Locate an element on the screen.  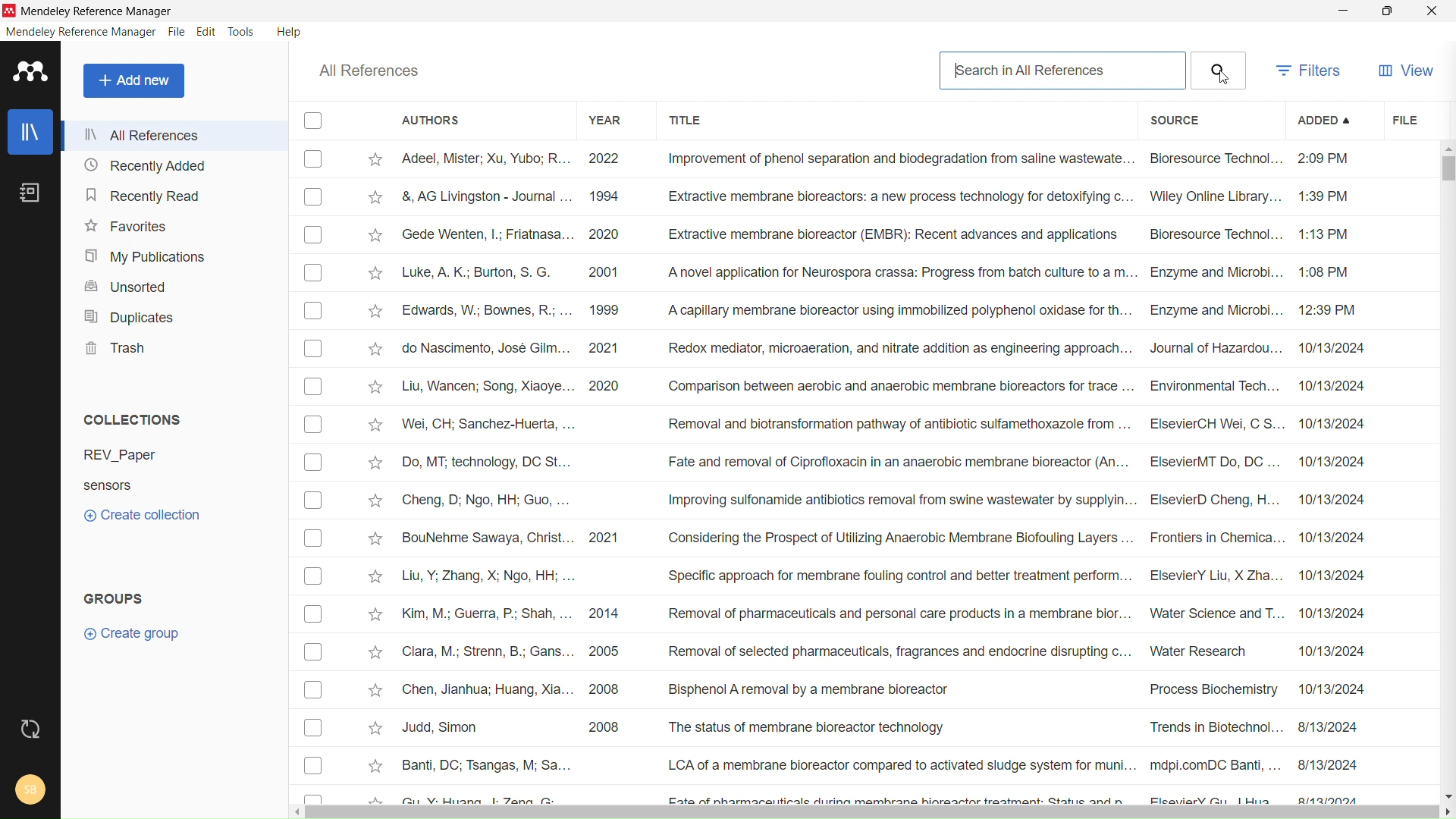
Adeel, Mister; Xu, Yubo; R... 2022 Improvement of phenol separation and biodegradation from saline waste wate... Bioresource Technol... 2:09 PM is located at coordinates (904, 158).